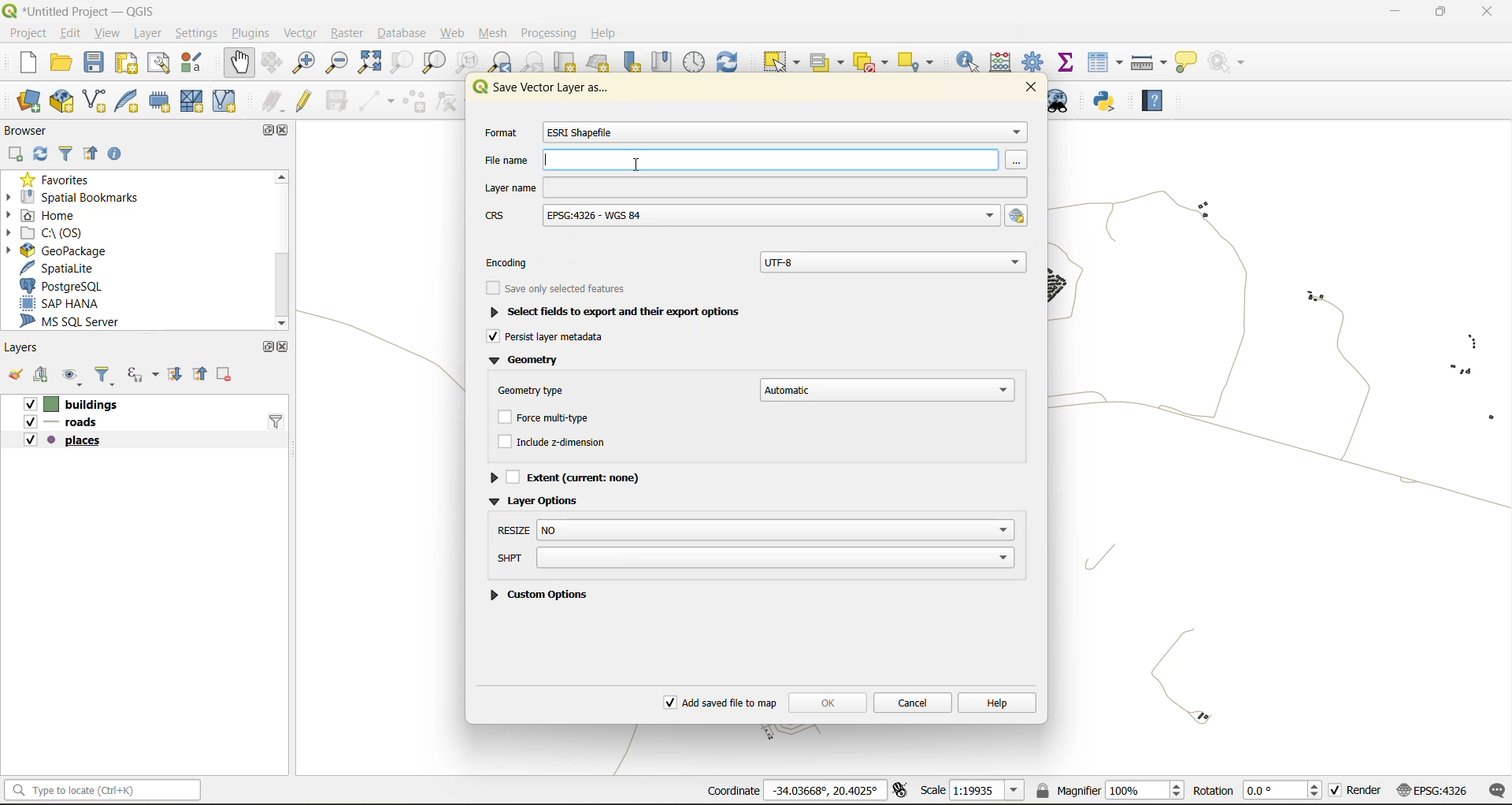  What do you see at coordinates (43, 153) in the screenshot?
I see `refresh` at bounding box center [43, 153].